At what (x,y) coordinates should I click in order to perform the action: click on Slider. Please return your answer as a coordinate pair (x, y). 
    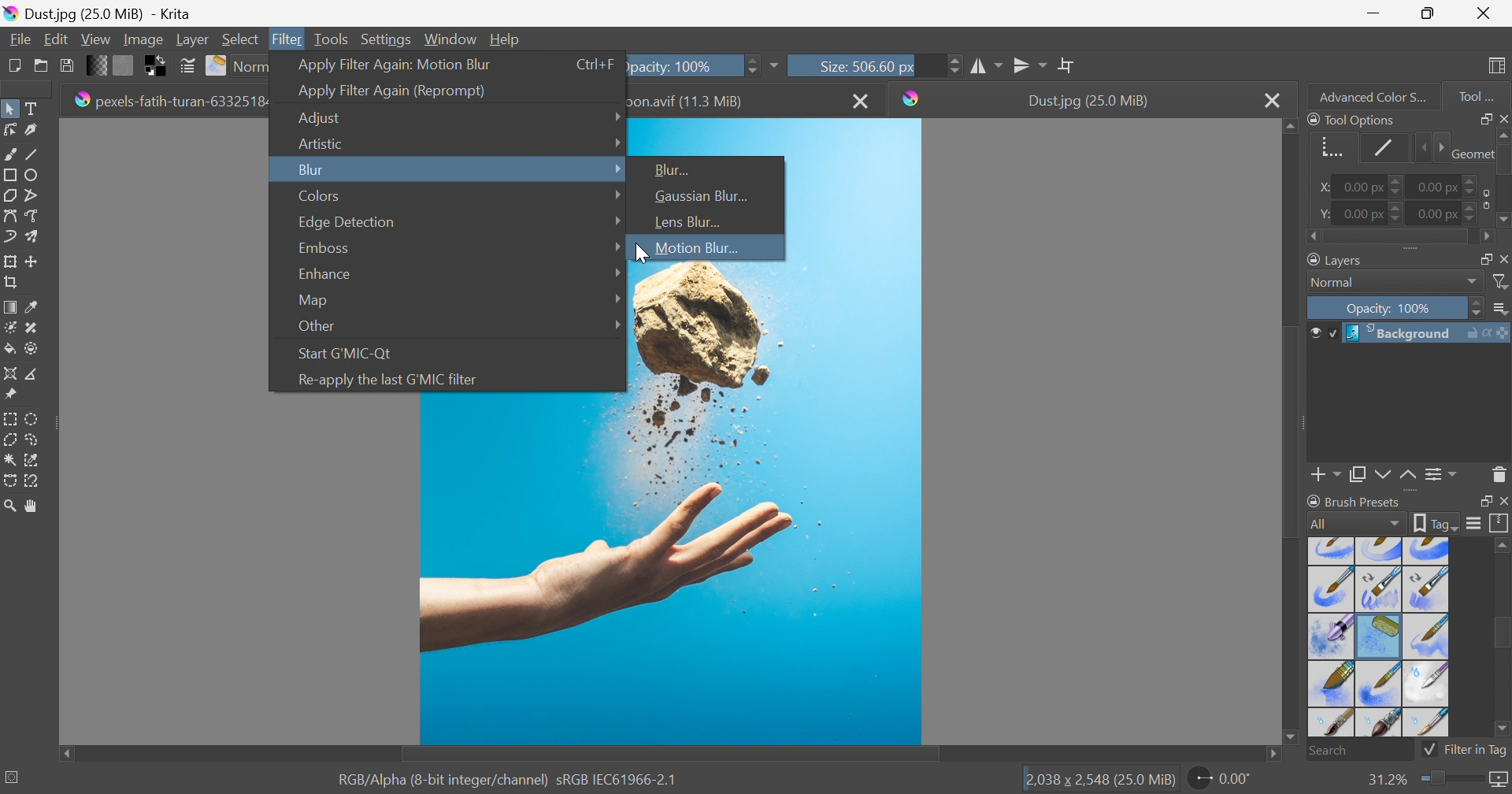
    Looking at the image, I should click on (1477, 309).